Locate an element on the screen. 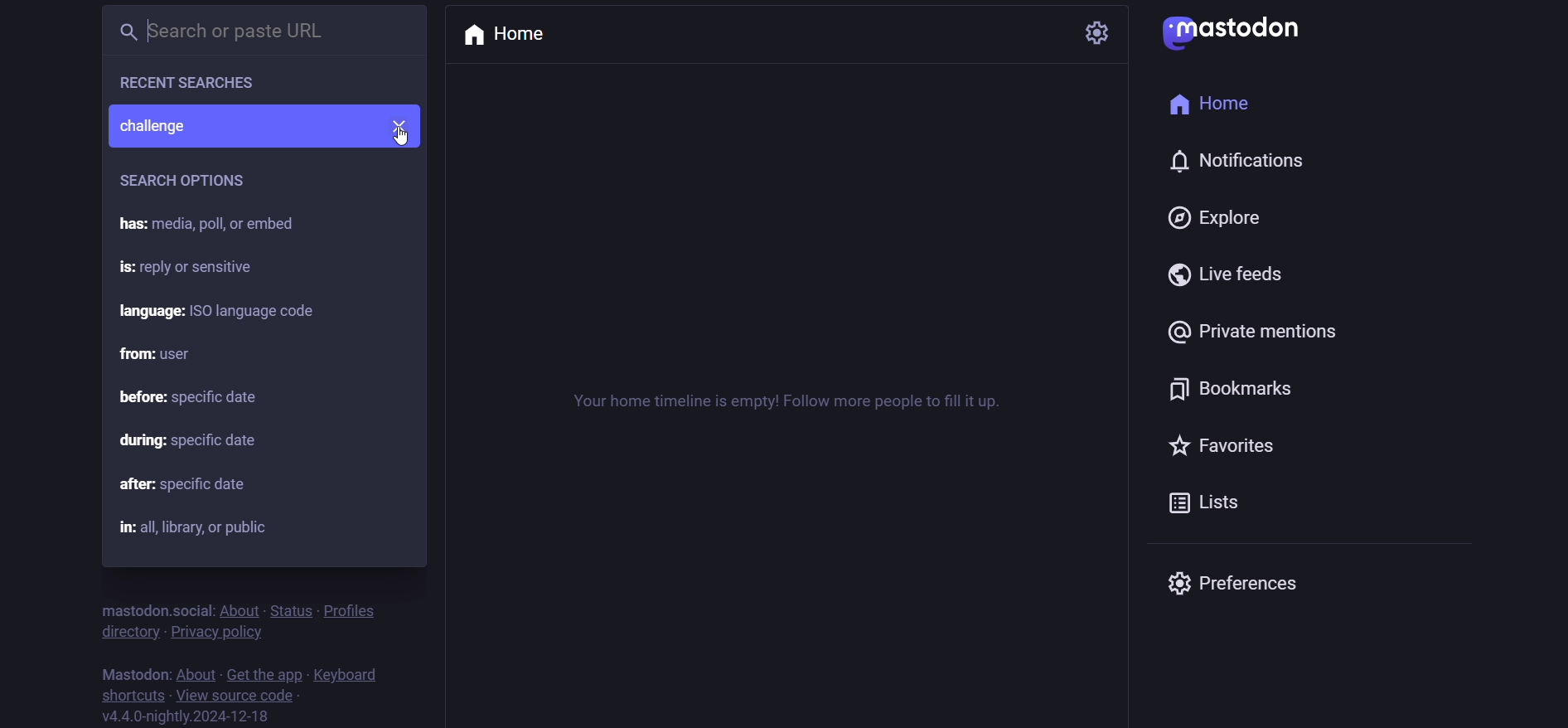 The height and width of the screenshot is (728, 1568). from is located at coordinates (162, 354).